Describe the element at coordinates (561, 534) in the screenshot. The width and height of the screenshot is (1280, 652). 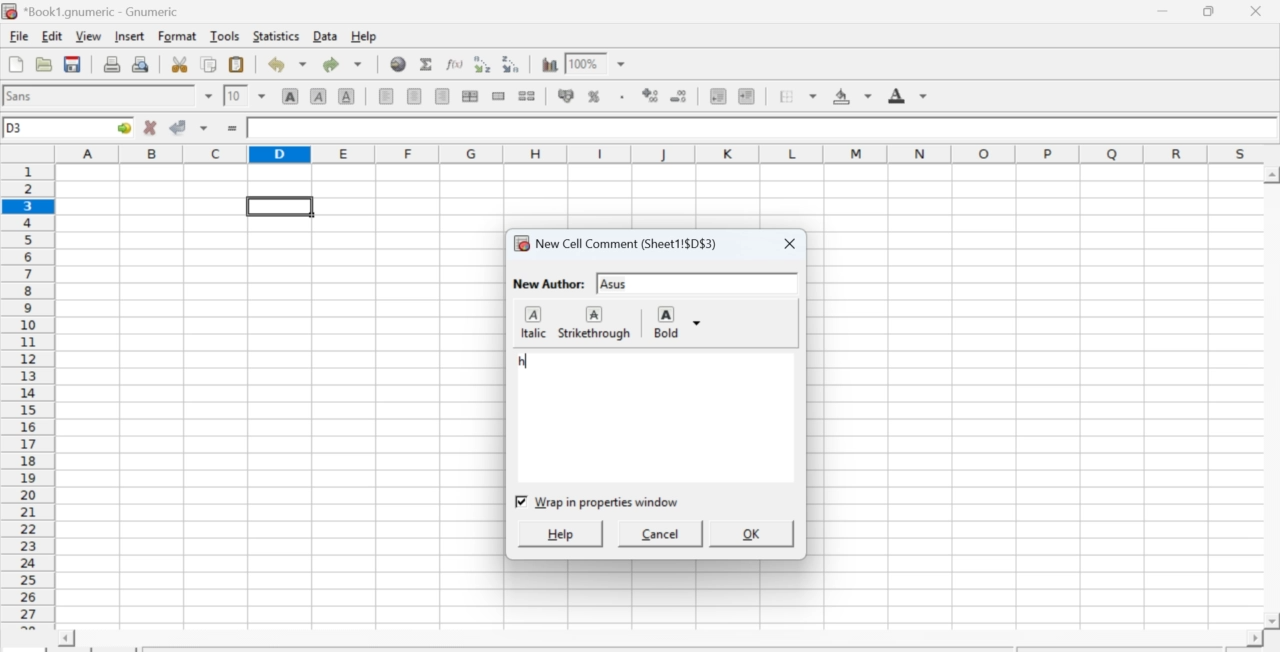
I see `help` at that location.